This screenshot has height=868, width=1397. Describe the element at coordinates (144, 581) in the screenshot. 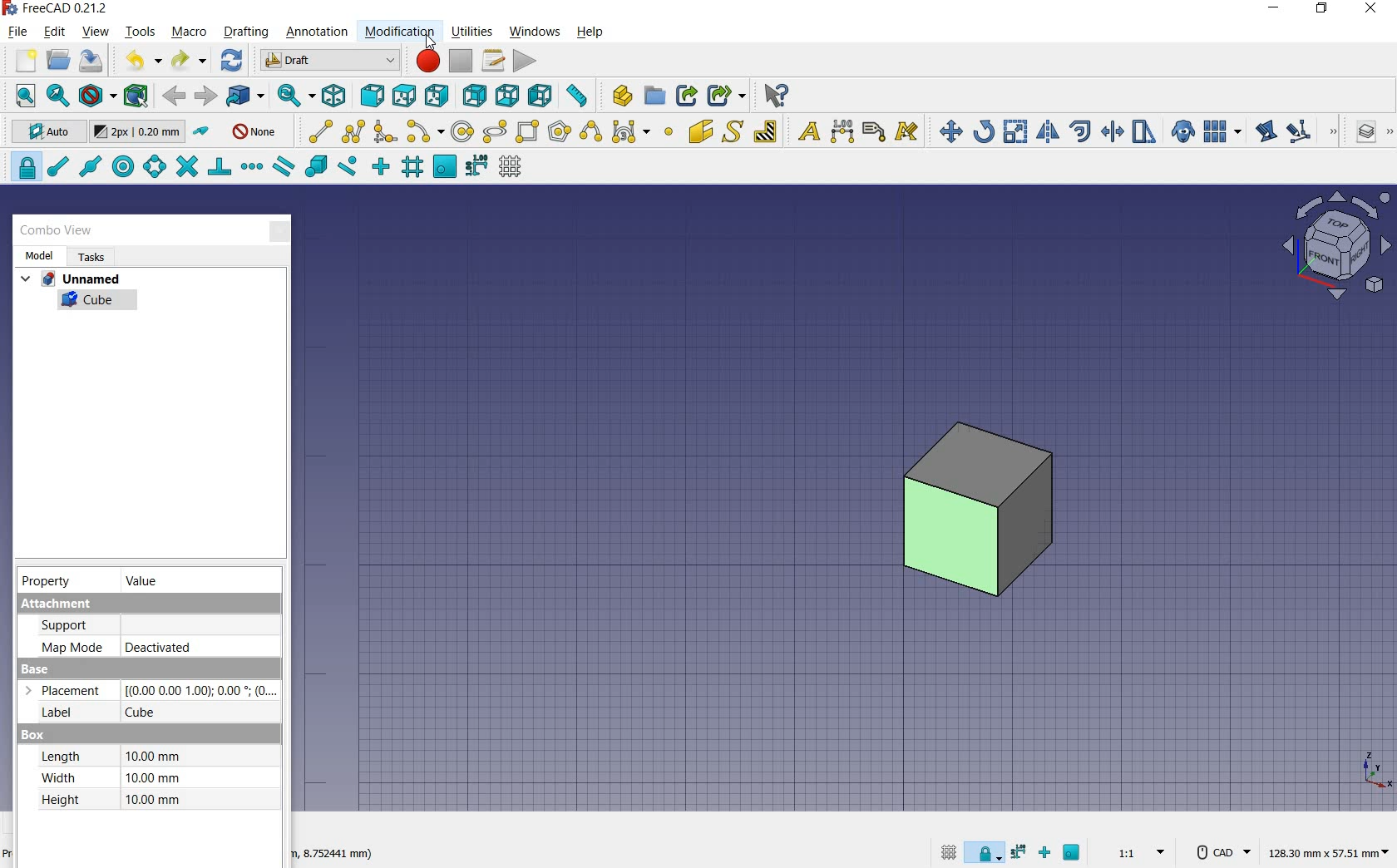

I see `value` at that location.